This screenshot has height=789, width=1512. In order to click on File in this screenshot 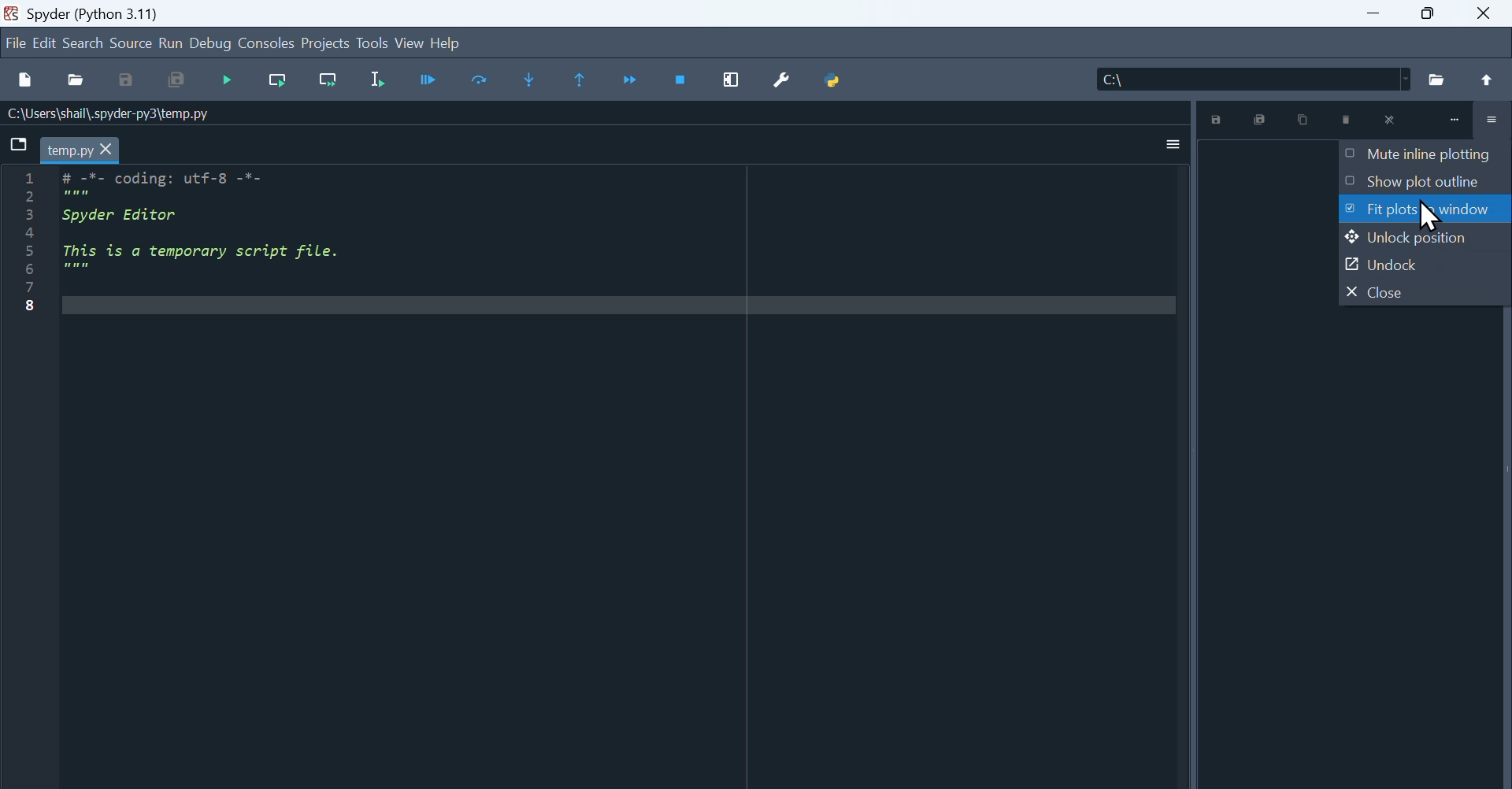, I will do `click(14, 46)`.